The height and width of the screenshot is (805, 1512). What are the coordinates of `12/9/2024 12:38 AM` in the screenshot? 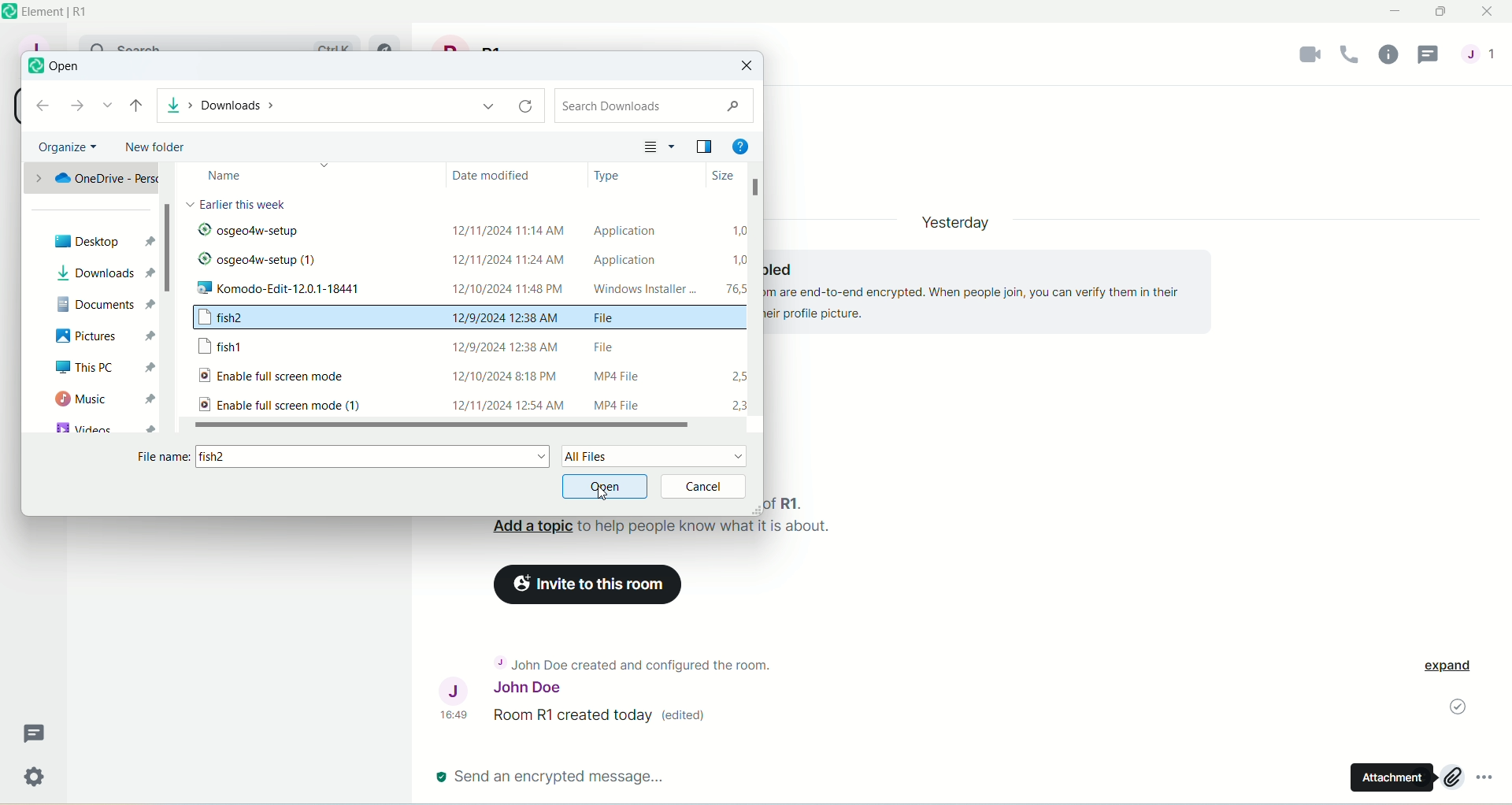 It's located at (506, 317).